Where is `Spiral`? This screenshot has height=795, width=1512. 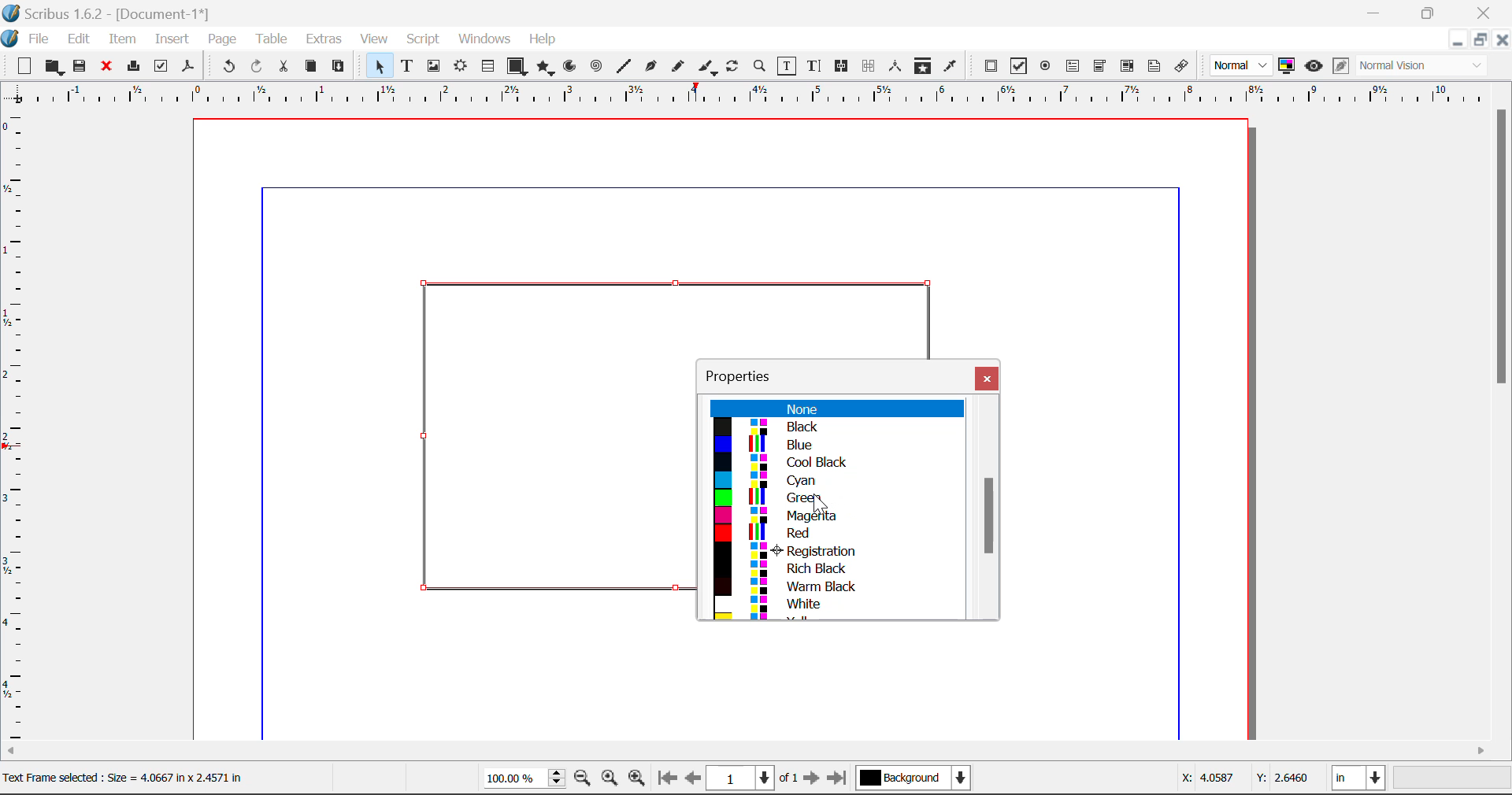 Spiral is located at coordinates (596, 66).